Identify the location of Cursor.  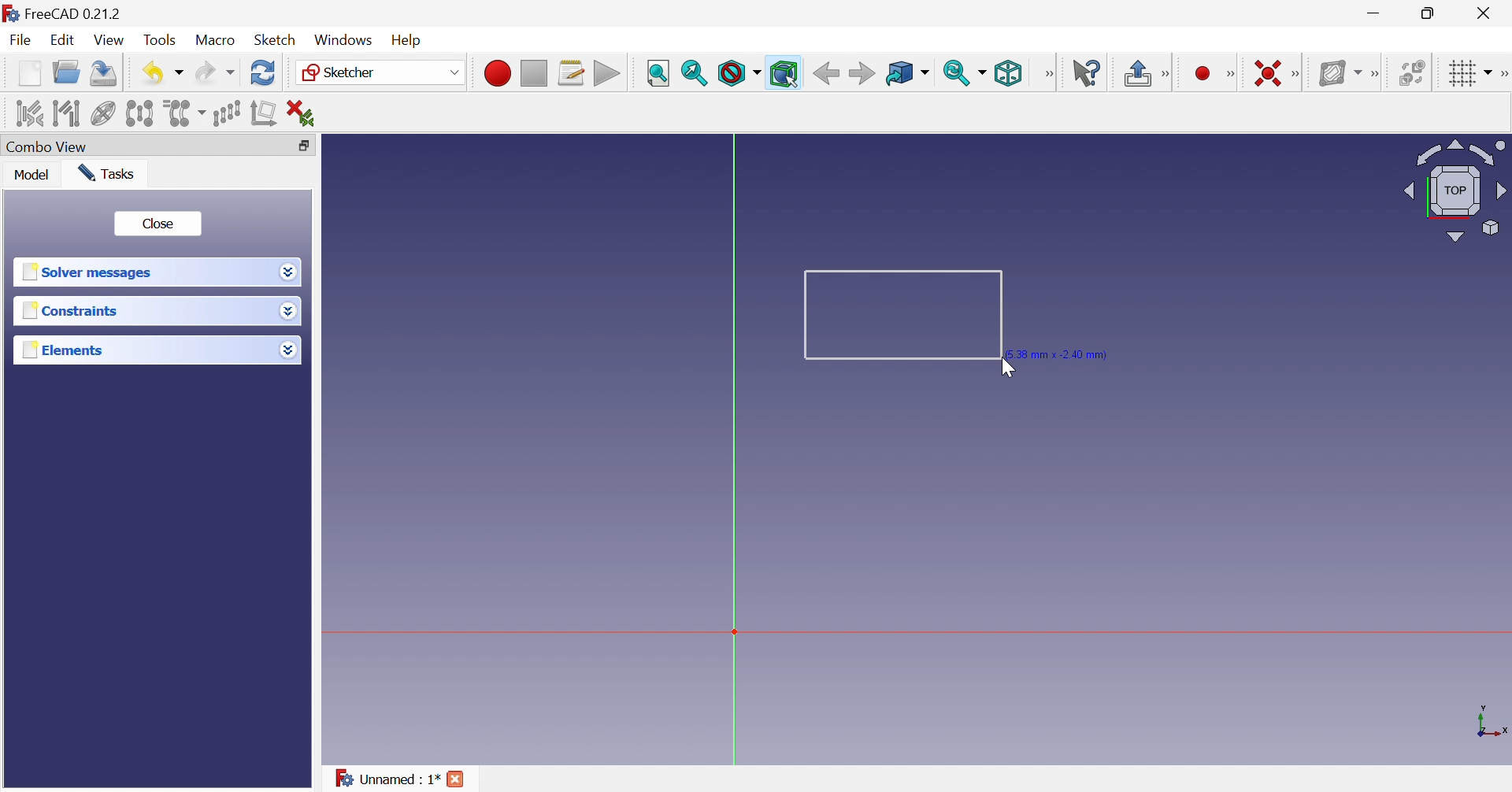
(1009, 368).